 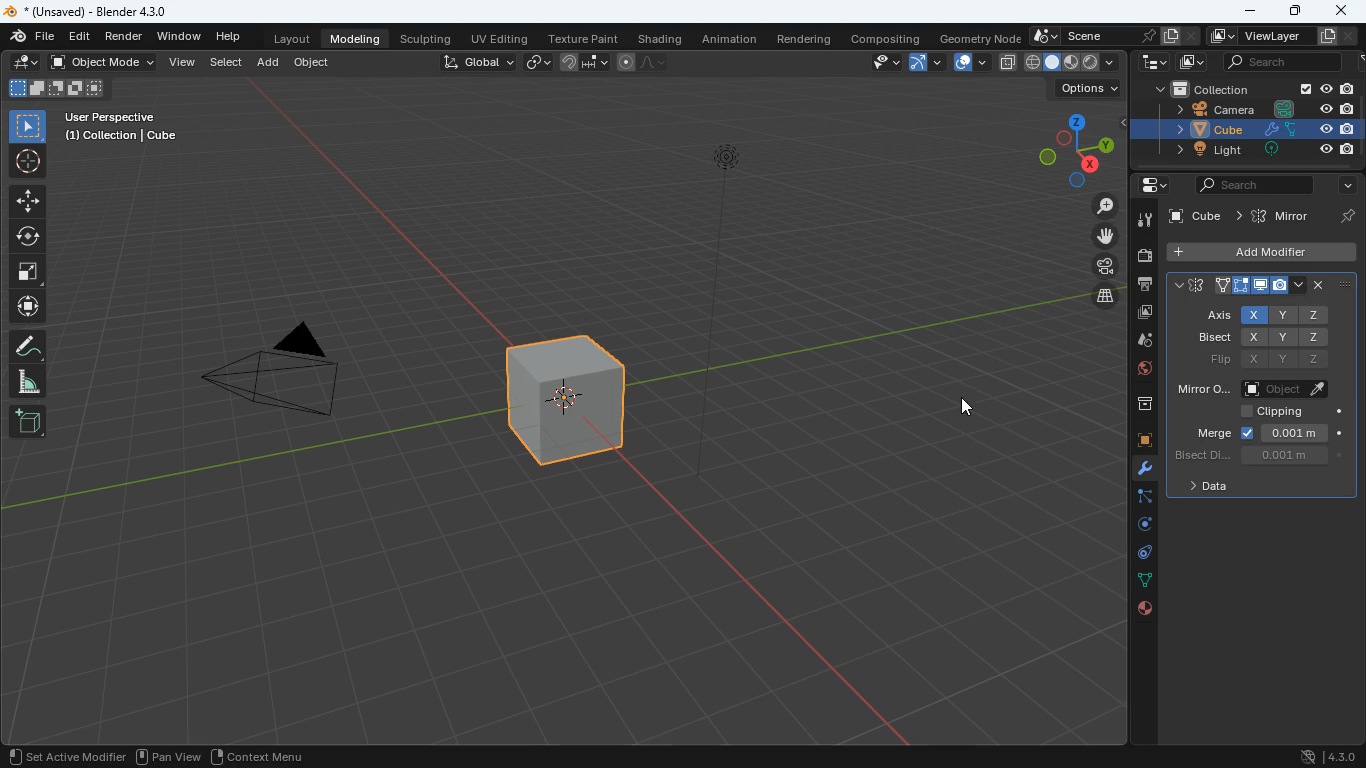 I want to click on mirror, so click(x=1255, y=386).